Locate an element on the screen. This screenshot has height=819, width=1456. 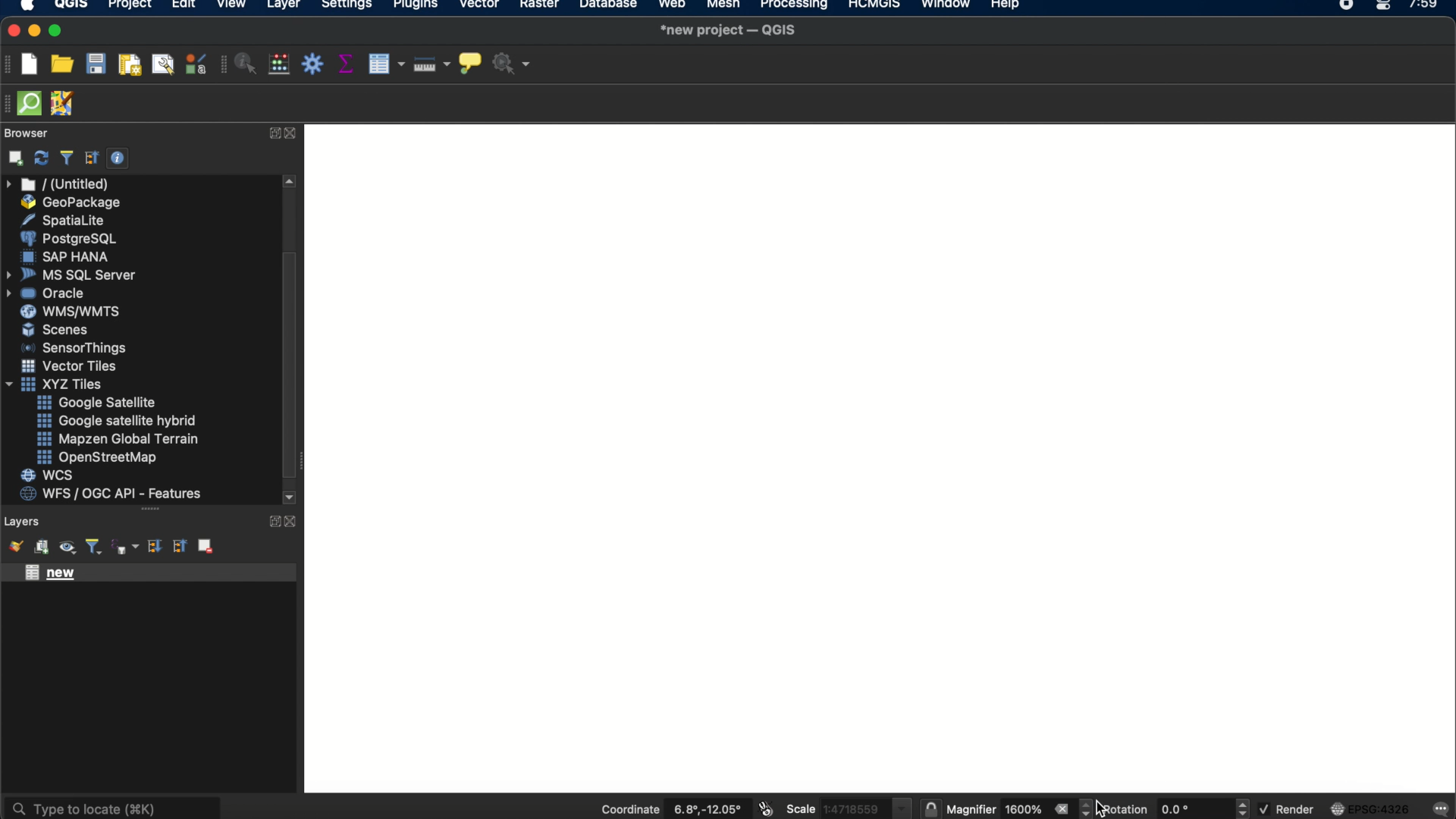
SHOW STATISTICAL SUMMARY is located at coordinates (348, 65).